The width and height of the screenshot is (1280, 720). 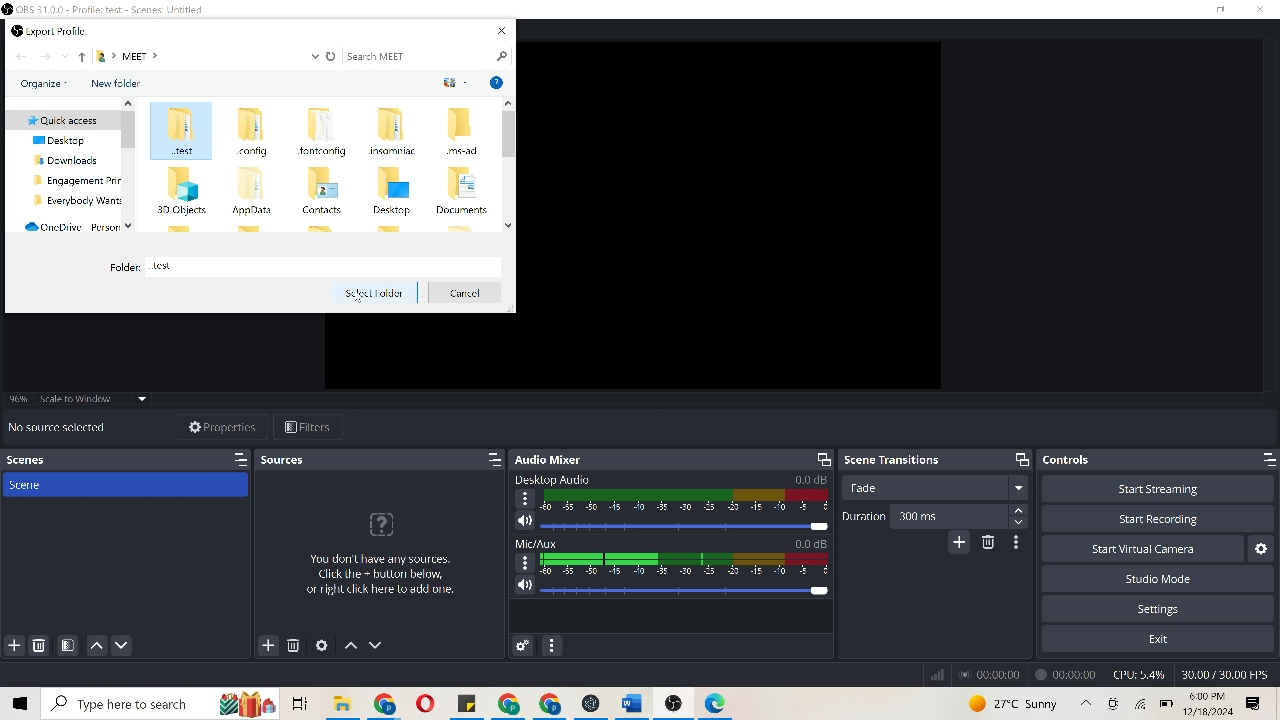 What do you see at coordinates (1261, 459) in the screenshot?
I see `maximize` at bounding box center [1261, 459].